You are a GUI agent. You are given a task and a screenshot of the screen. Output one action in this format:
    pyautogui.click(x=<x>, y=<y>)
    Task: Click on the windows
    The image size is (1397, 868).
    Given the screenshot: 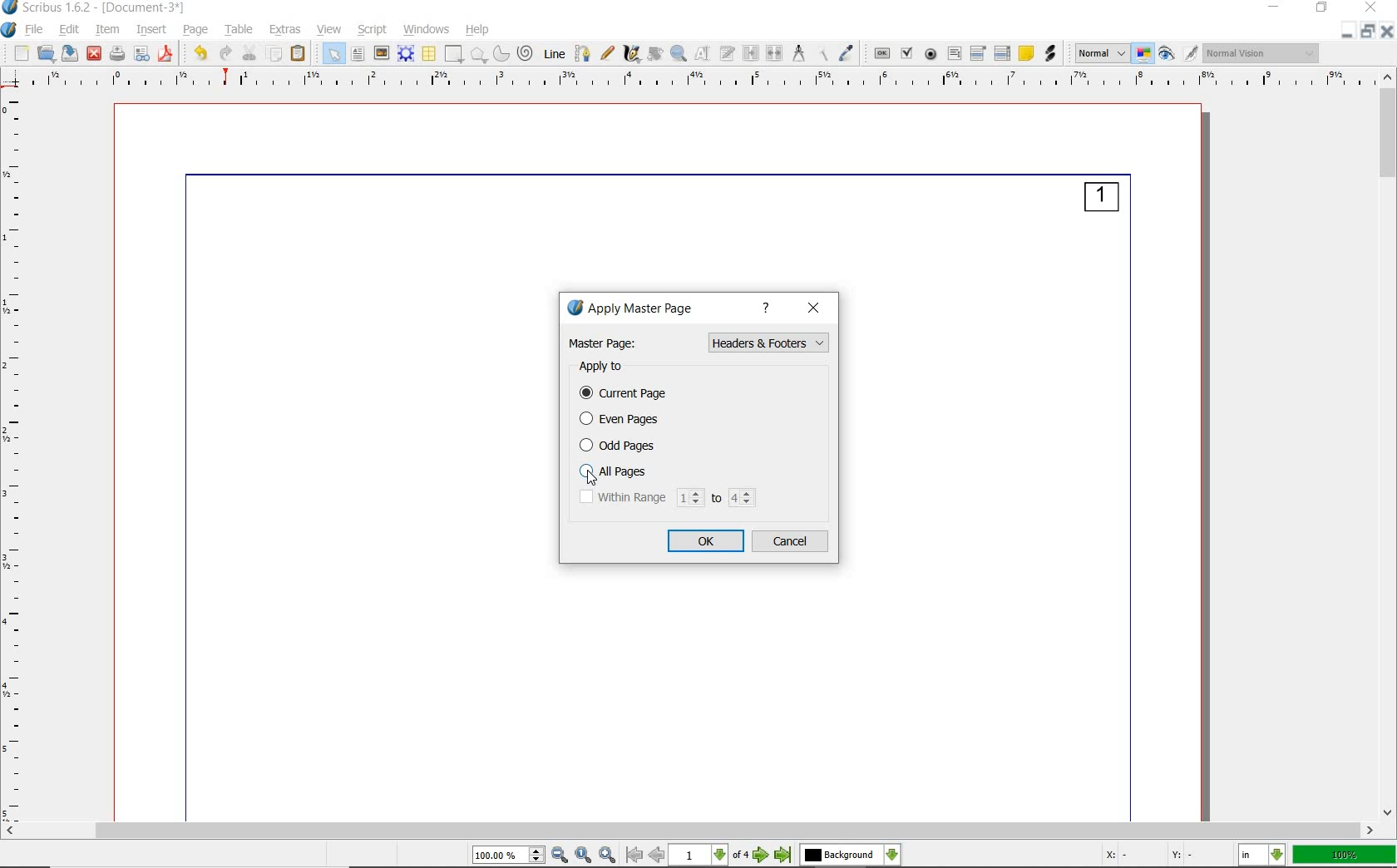 What is the action you would take?
    pyautogui.click(x=427, y=31)
    